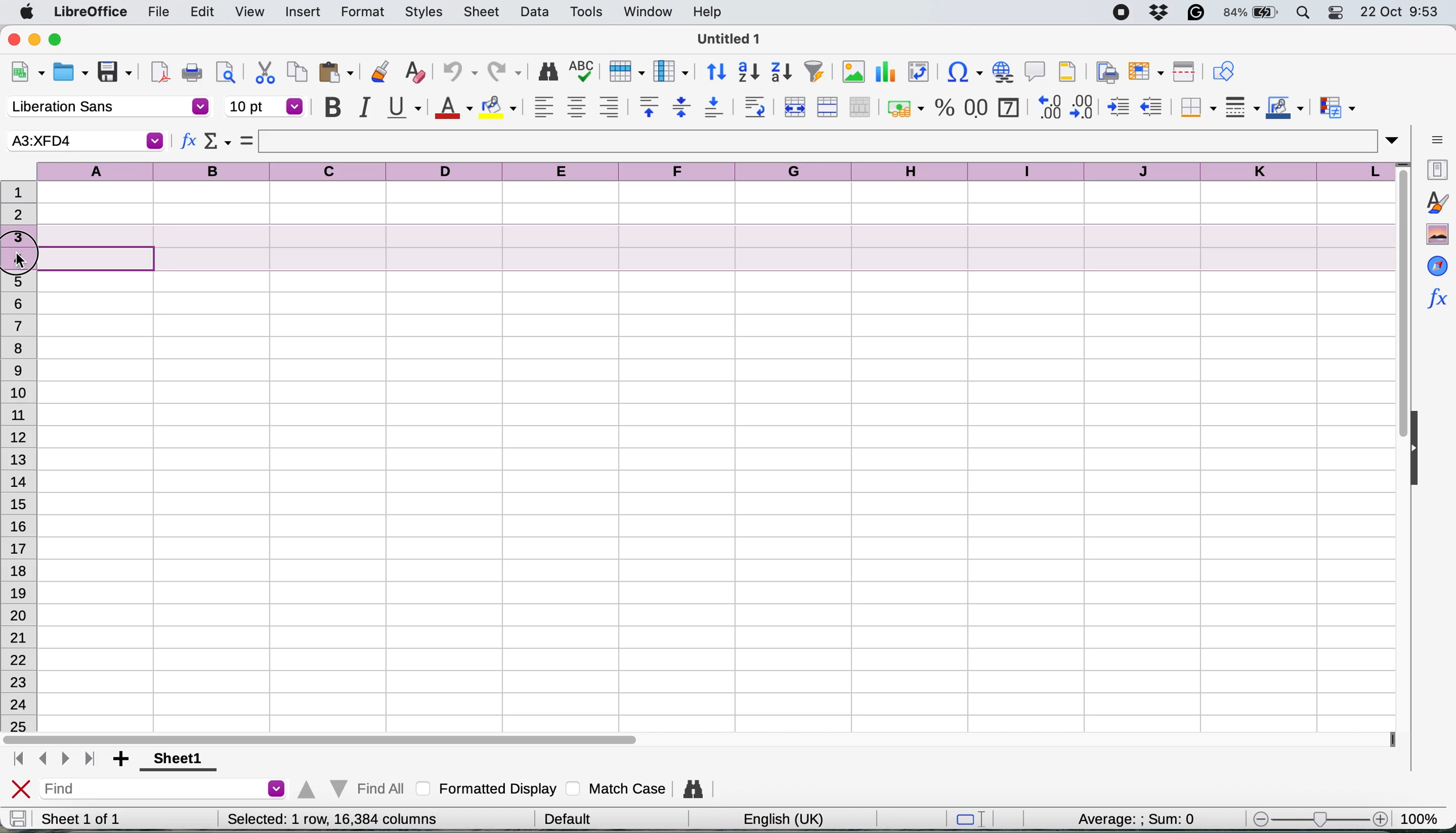 Image resolution: width=1456 pixels, height=833 pixels. What do you see at coordinates (166, 790) in the screenshot?
I see `find` at bounding box center [166, 790].